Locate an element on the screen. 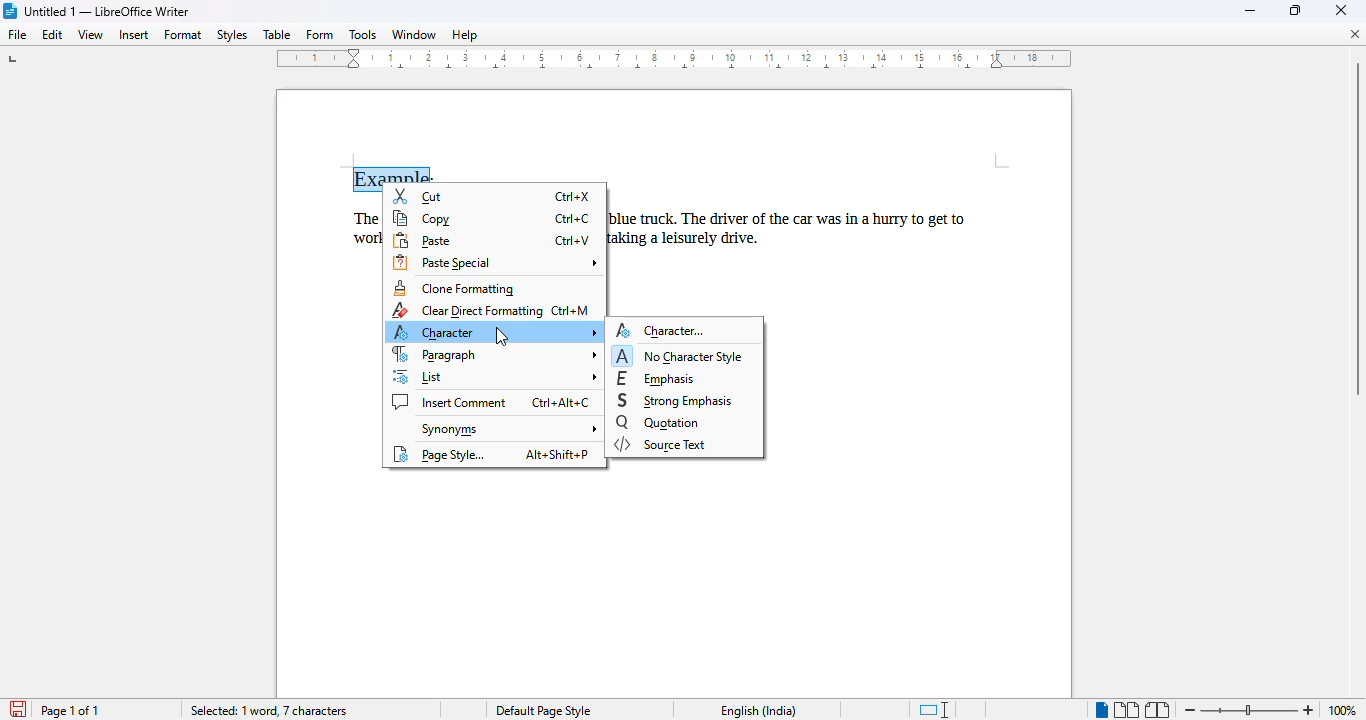 This screenshot has height=720, width=1366. edit is located at coordinates (53, 35).